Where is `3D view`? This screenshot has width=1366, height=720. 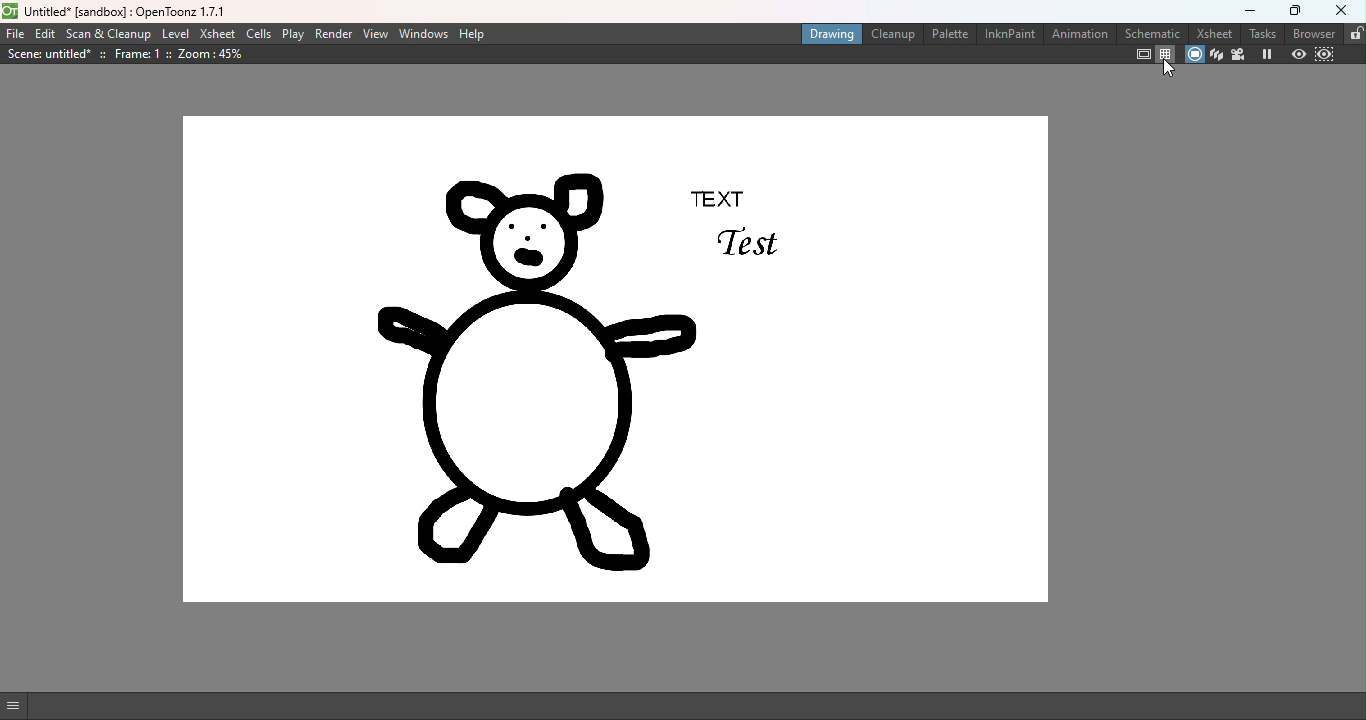
3D view is located at coordinates (1216, 56).